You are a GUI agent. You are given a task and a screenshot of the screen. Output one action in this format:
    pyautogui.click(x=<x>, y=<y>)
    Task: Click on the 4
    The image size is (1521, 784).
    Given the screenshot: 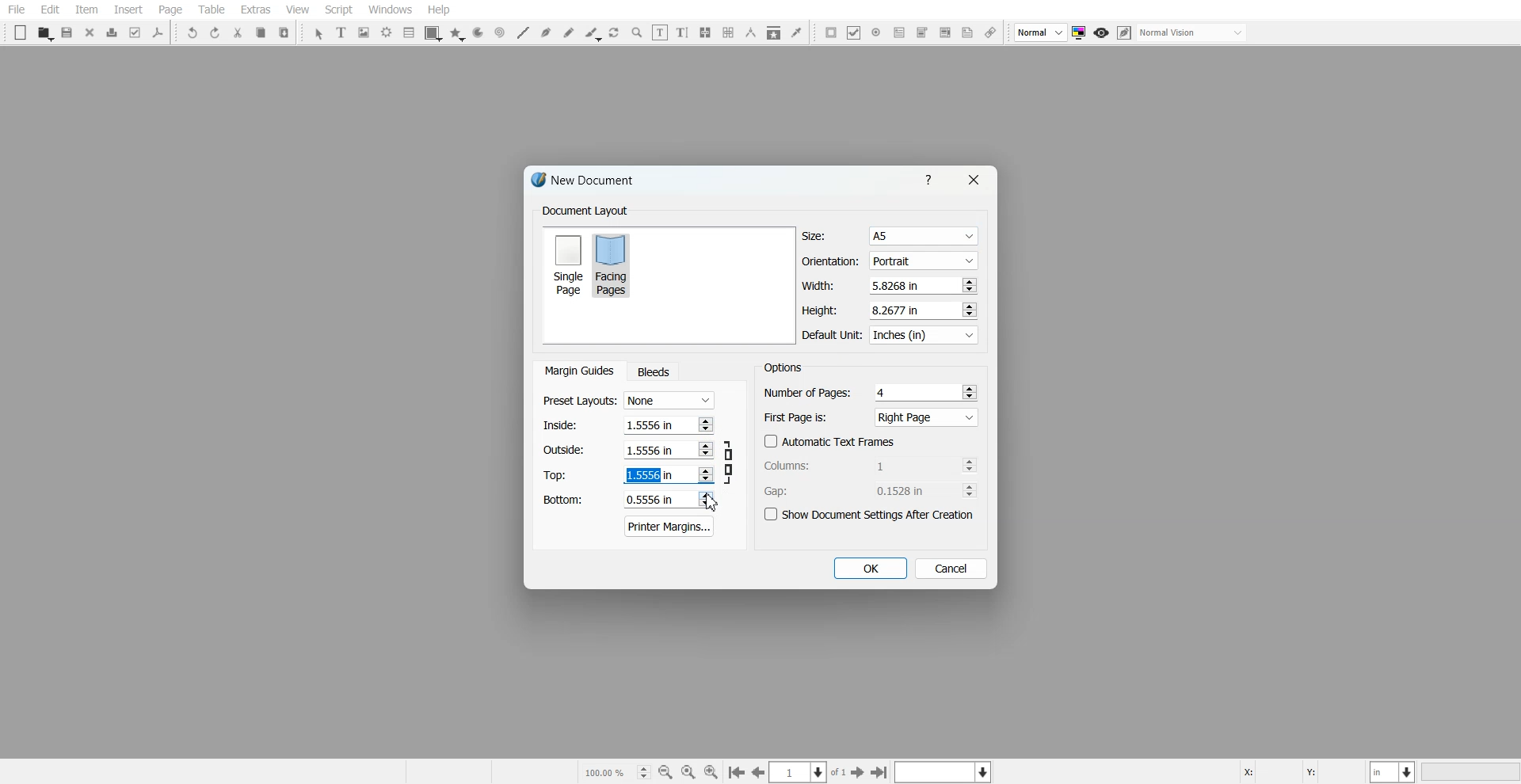 What is the action you would take?
    pyautogui.click(x=883, y=392)
    